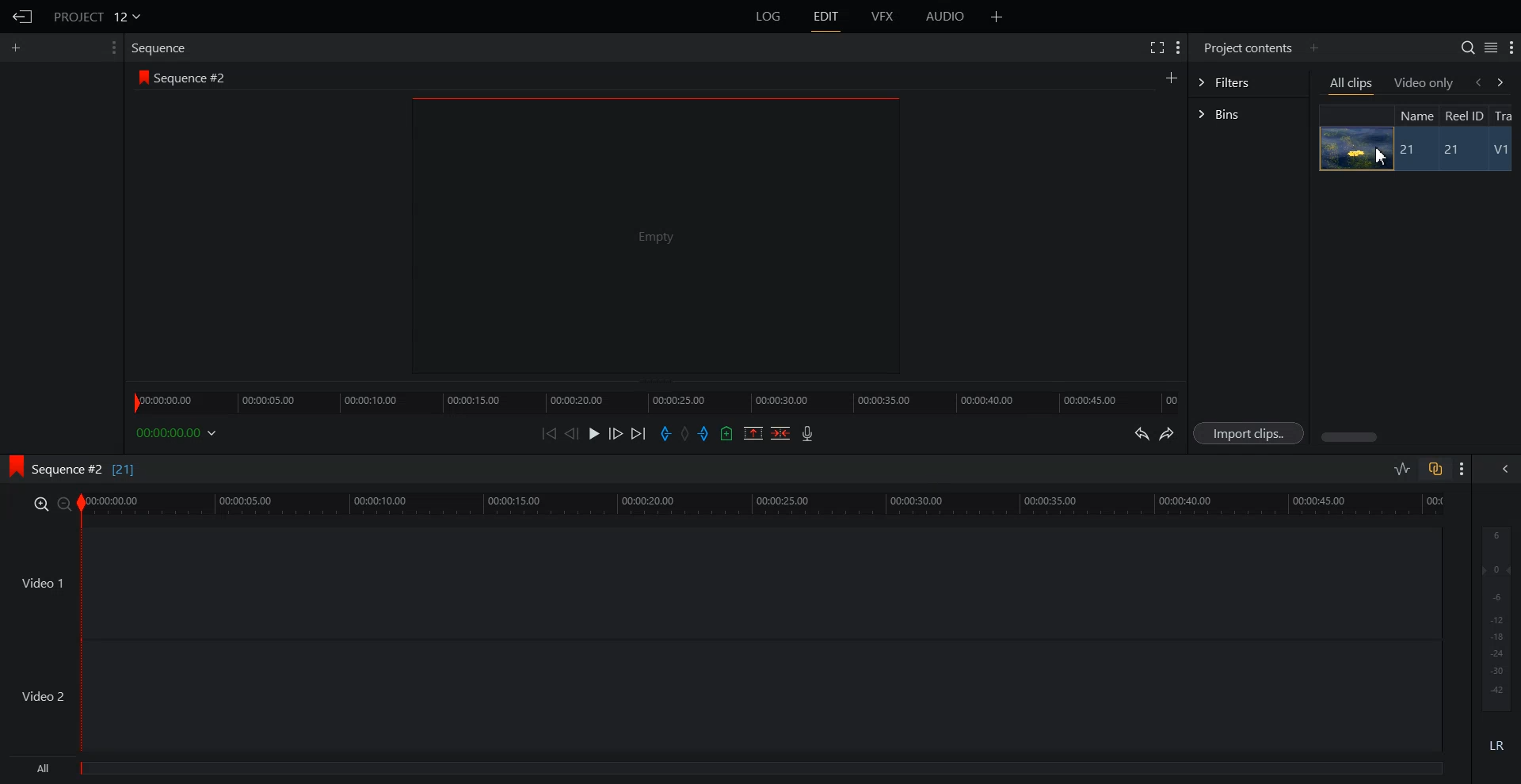 Image resolution: width=1521 pixels, height=784 pixels. Describe the element at coordinates (1497, 743) in the screenshot. I see `LR` at that location.